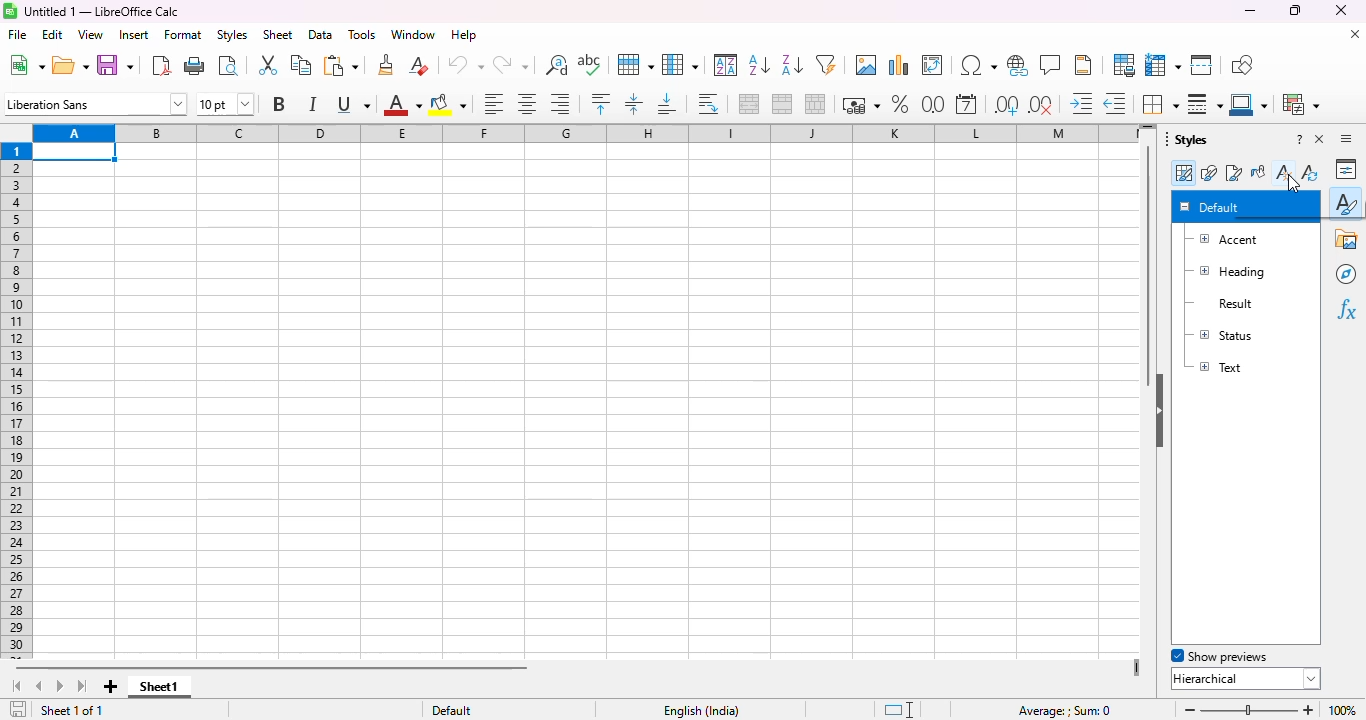 The image size is (1366, 720). What do you see at coordinates (1202, 65) in the screenshot?
I see `split window` at bounding box center [1202, 65].